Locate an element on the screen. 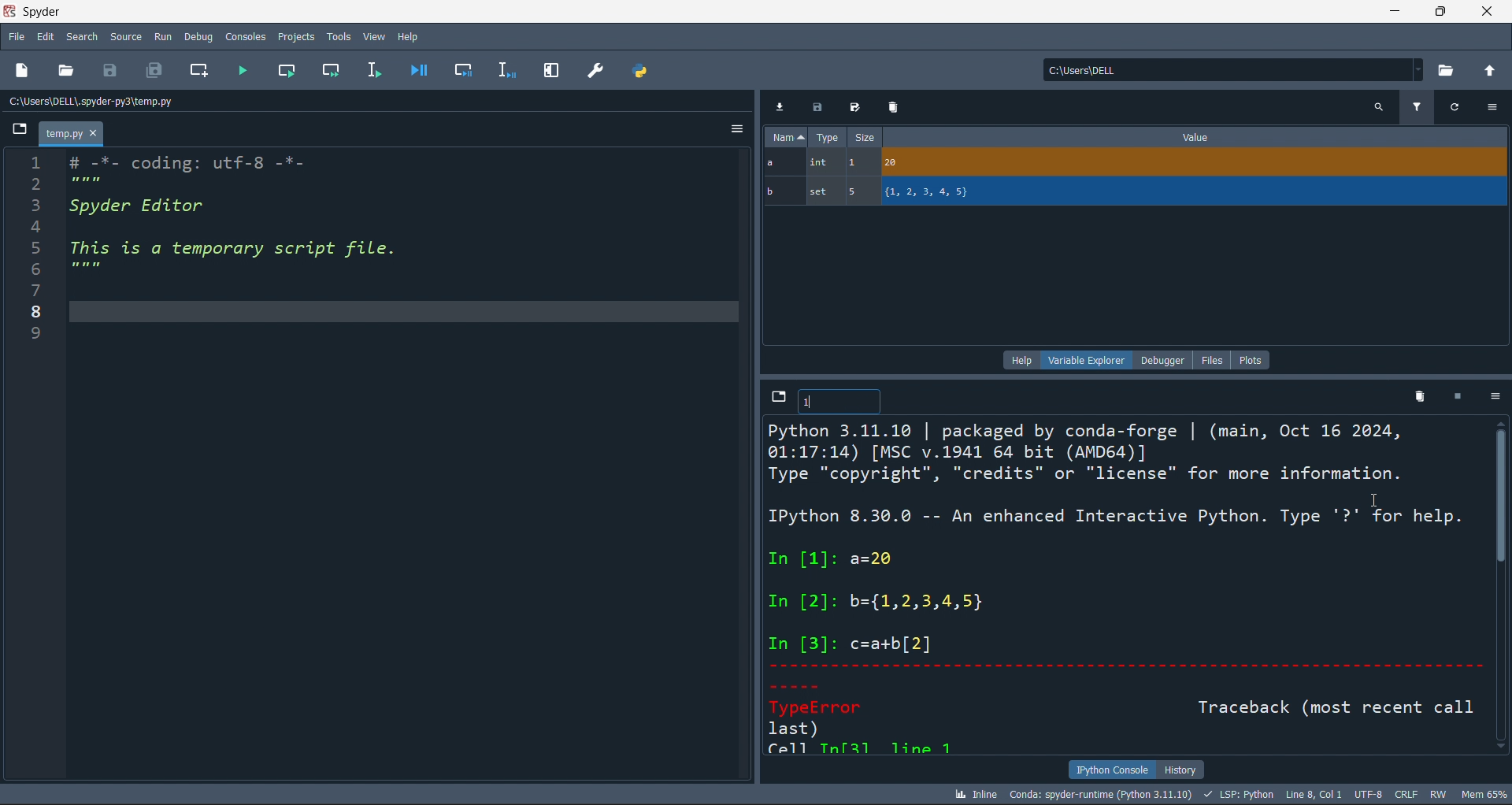 This screenshot has width=1512, height=805. name is located at coordinates (784, 137).